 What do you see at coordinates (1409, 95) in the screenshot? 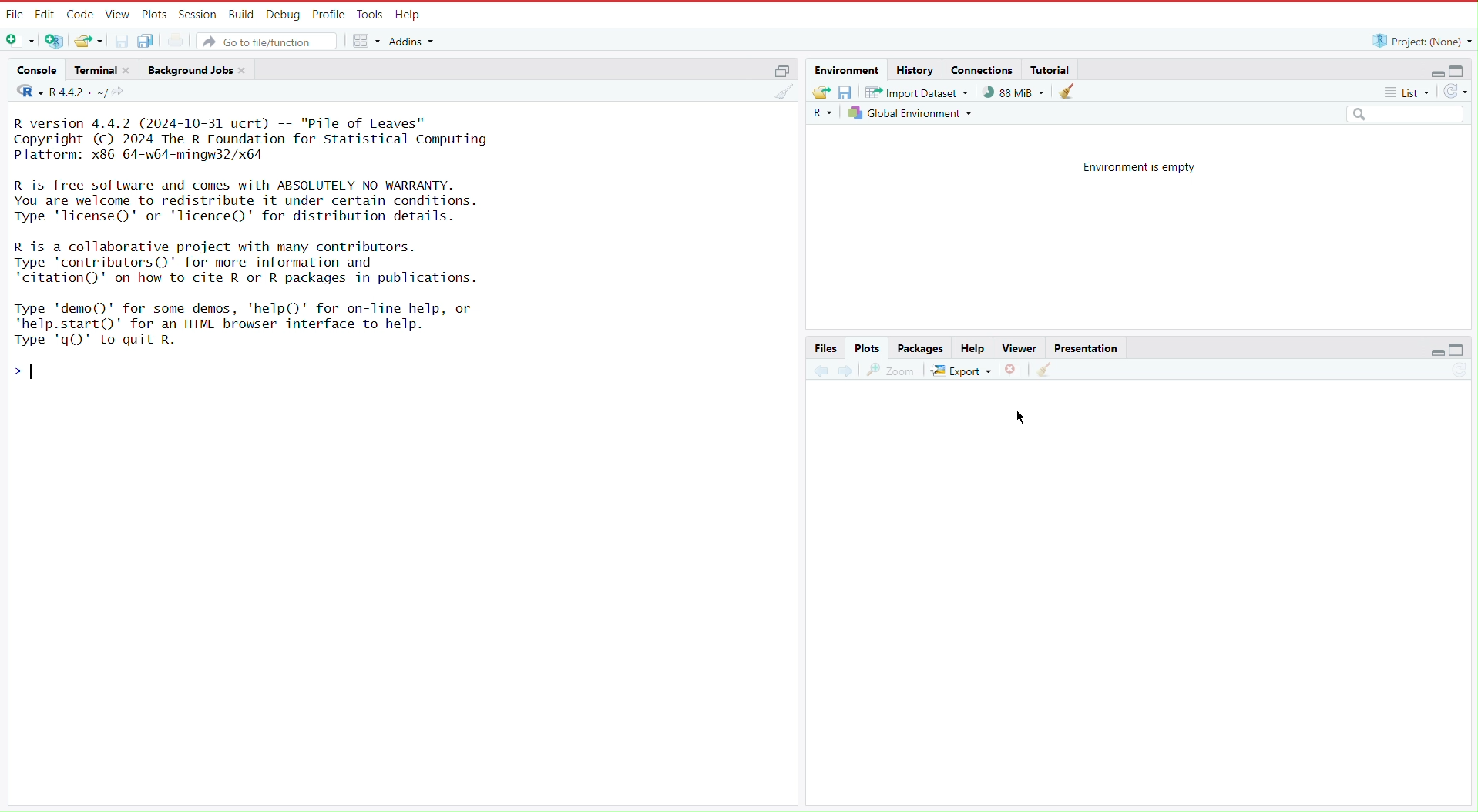
I see `List` at bounding box center [1409, 95].